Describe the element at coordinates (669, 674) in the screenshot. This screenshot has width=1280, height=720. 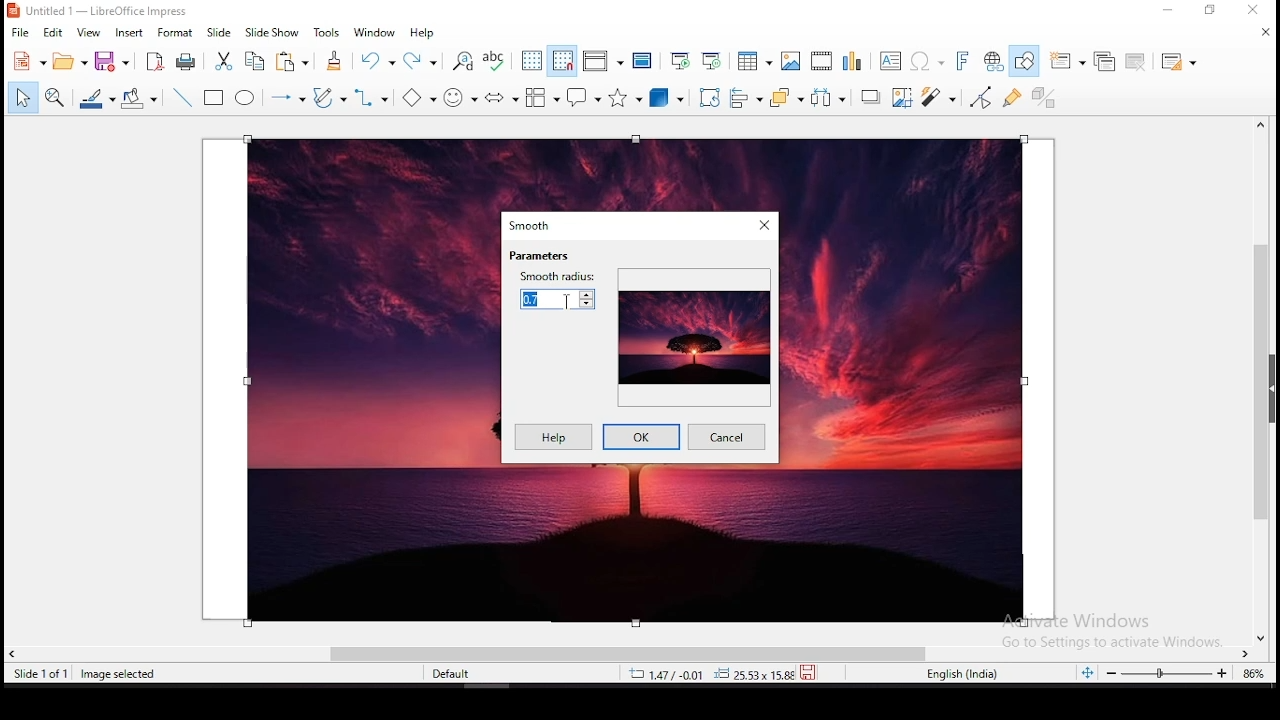
I see `12.40/4.25` at that location.